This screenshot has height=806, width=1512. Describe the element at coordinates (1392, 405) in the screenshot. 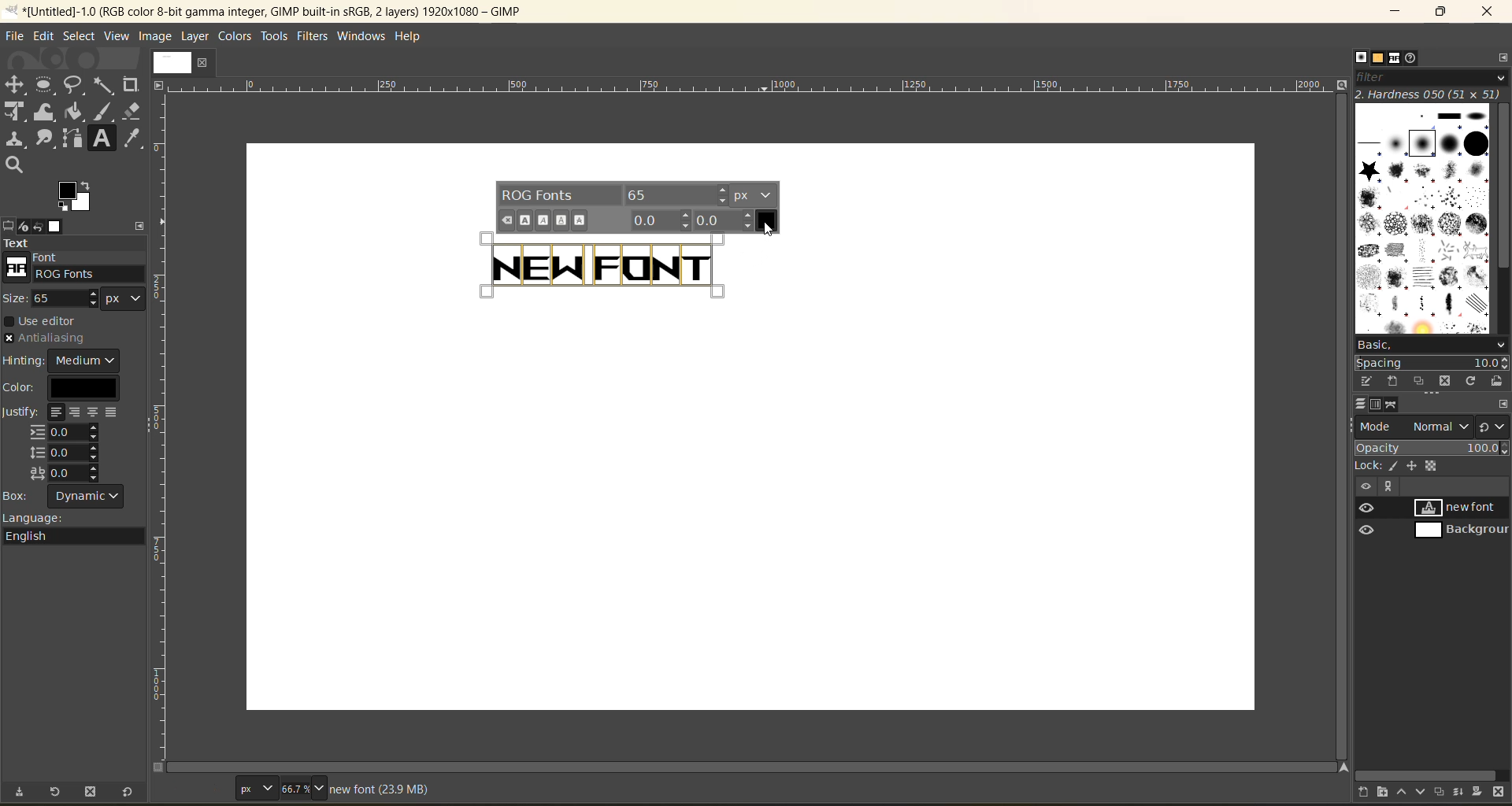

I see `paths` at that location.